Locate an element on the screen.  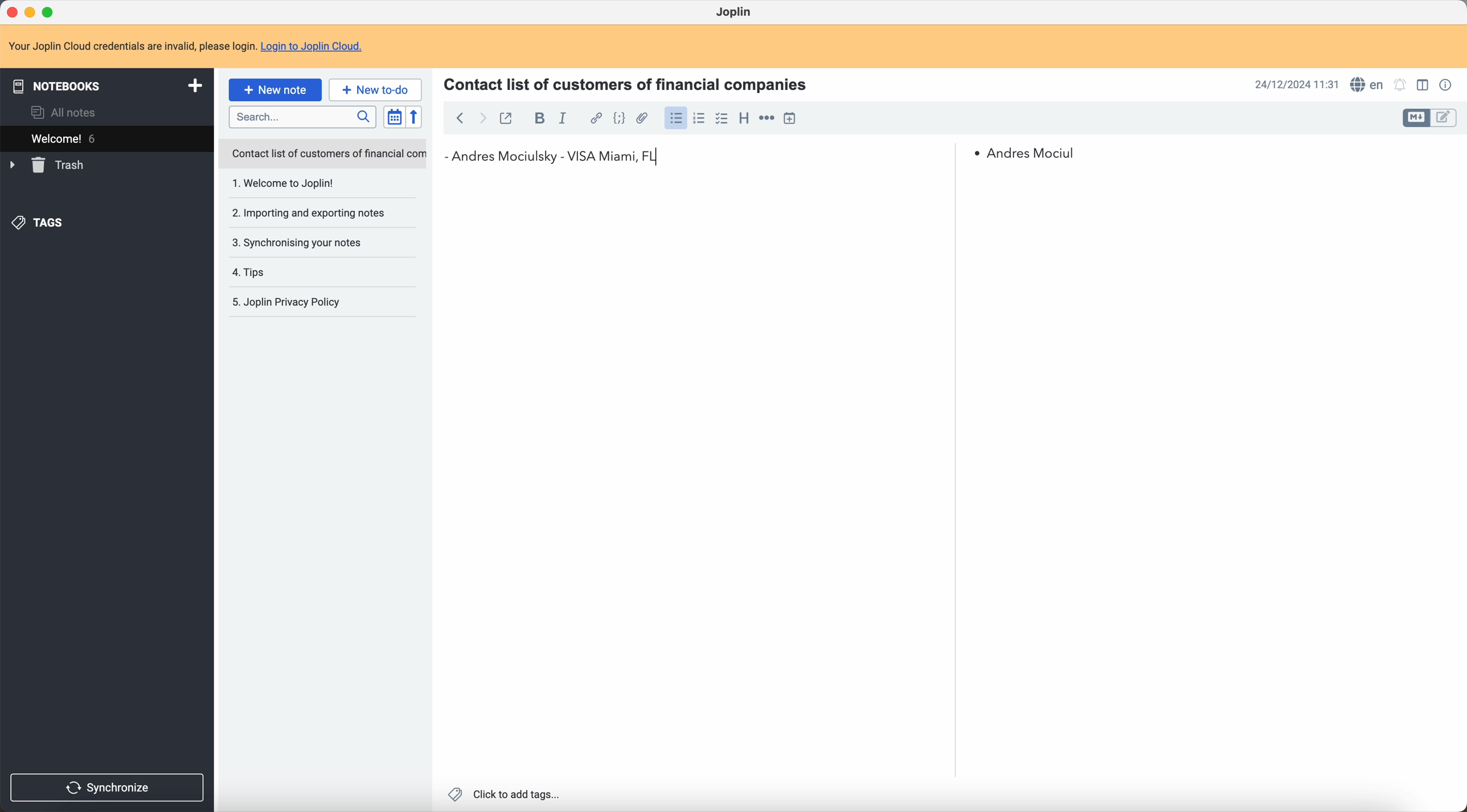
synchronize is located at coordinates (108, 788).